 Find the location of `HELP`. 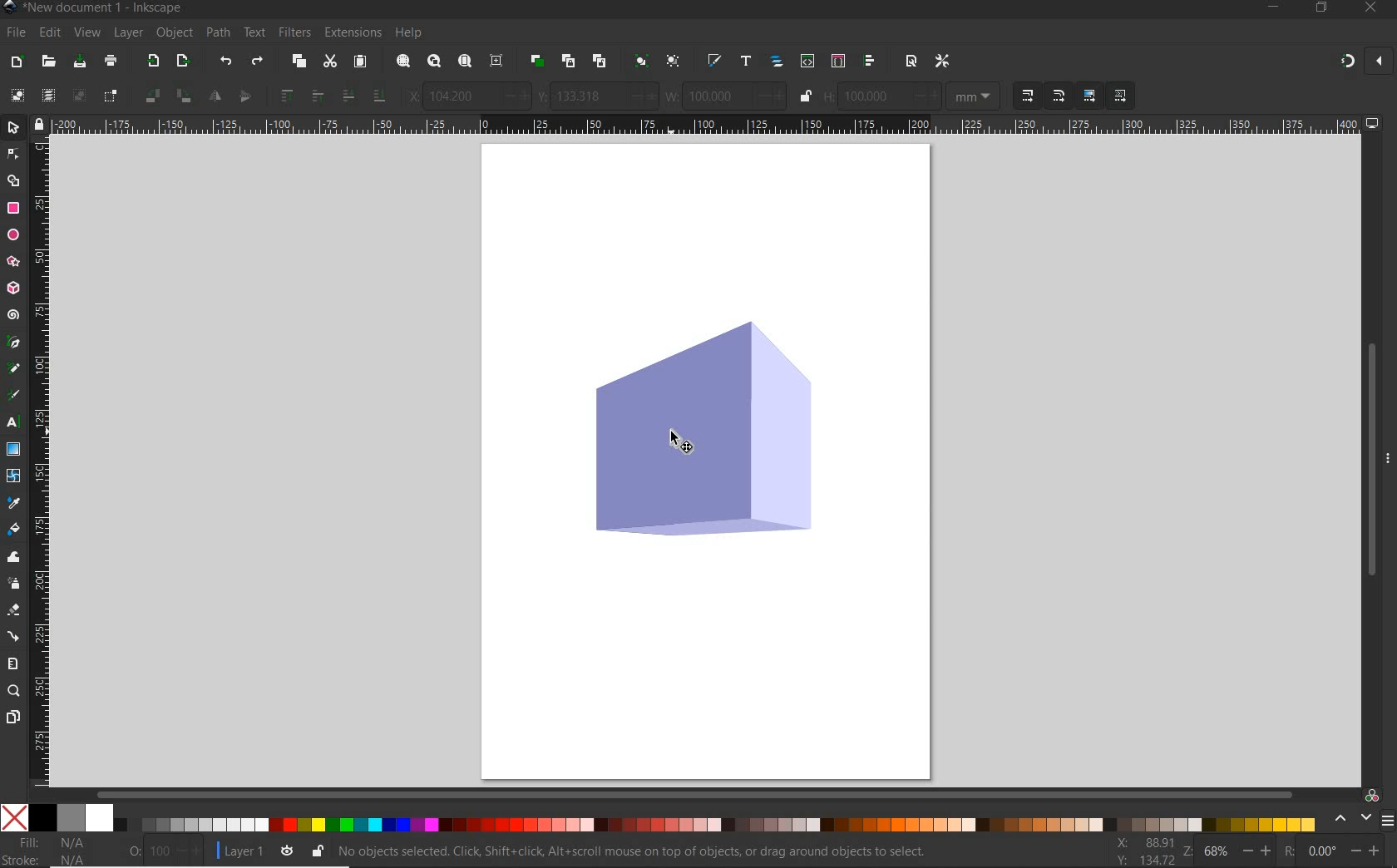

HELP is located at coordinates (410, 31).